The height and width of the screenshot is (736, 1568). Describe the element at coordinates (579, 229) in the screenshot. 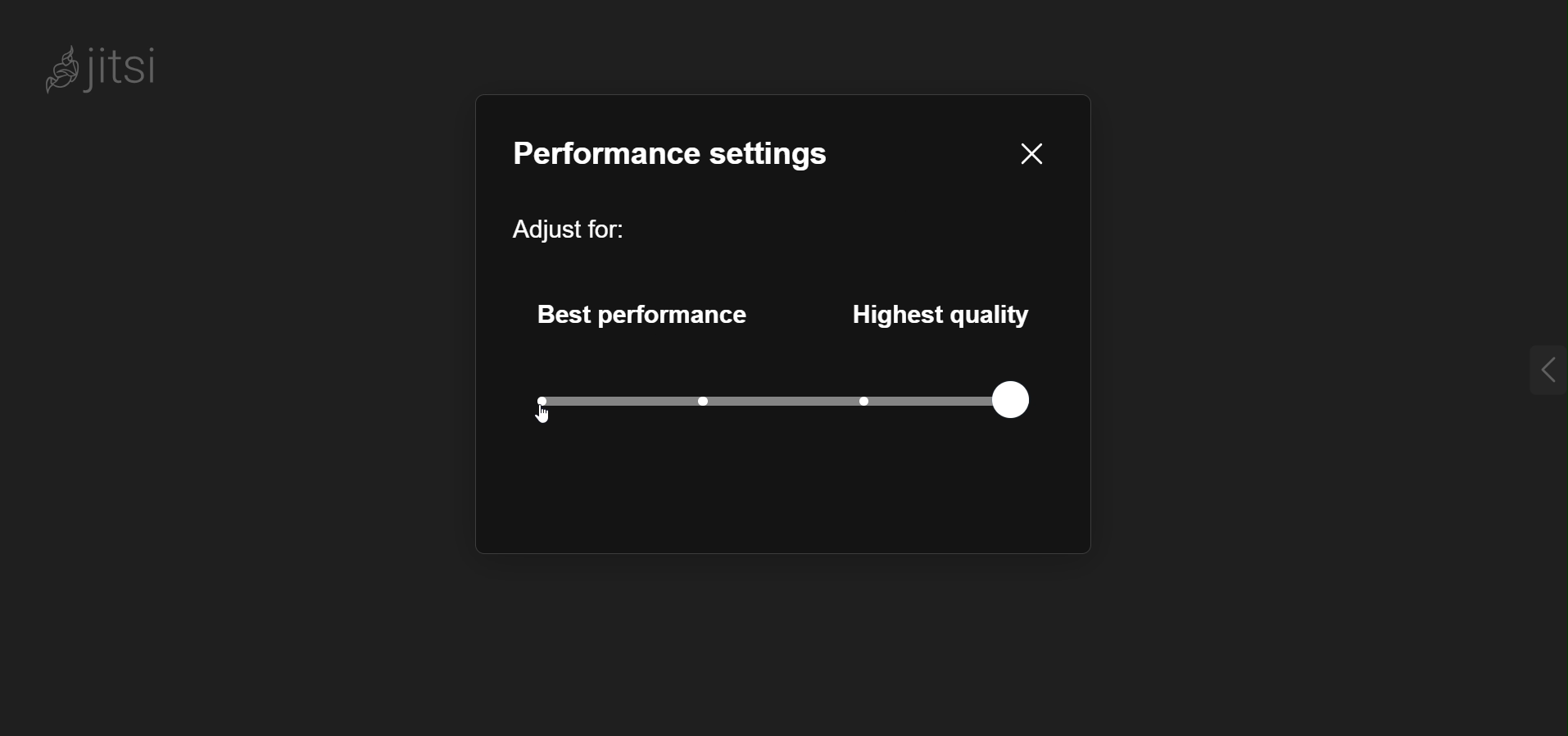

I see `adjust for` at that location.